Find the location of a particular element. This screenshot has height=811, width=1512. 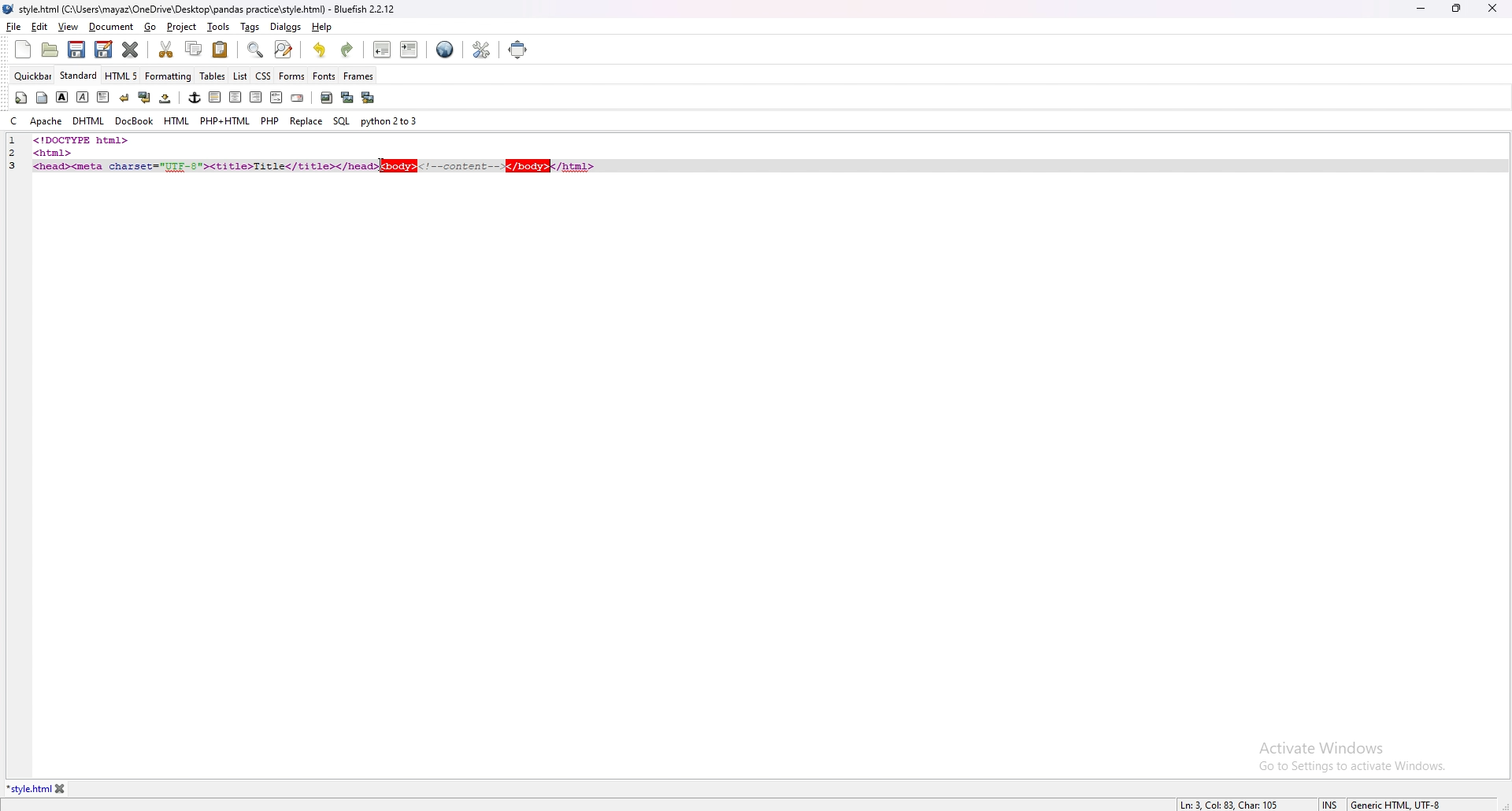

css is located at coordinates (264, 75).